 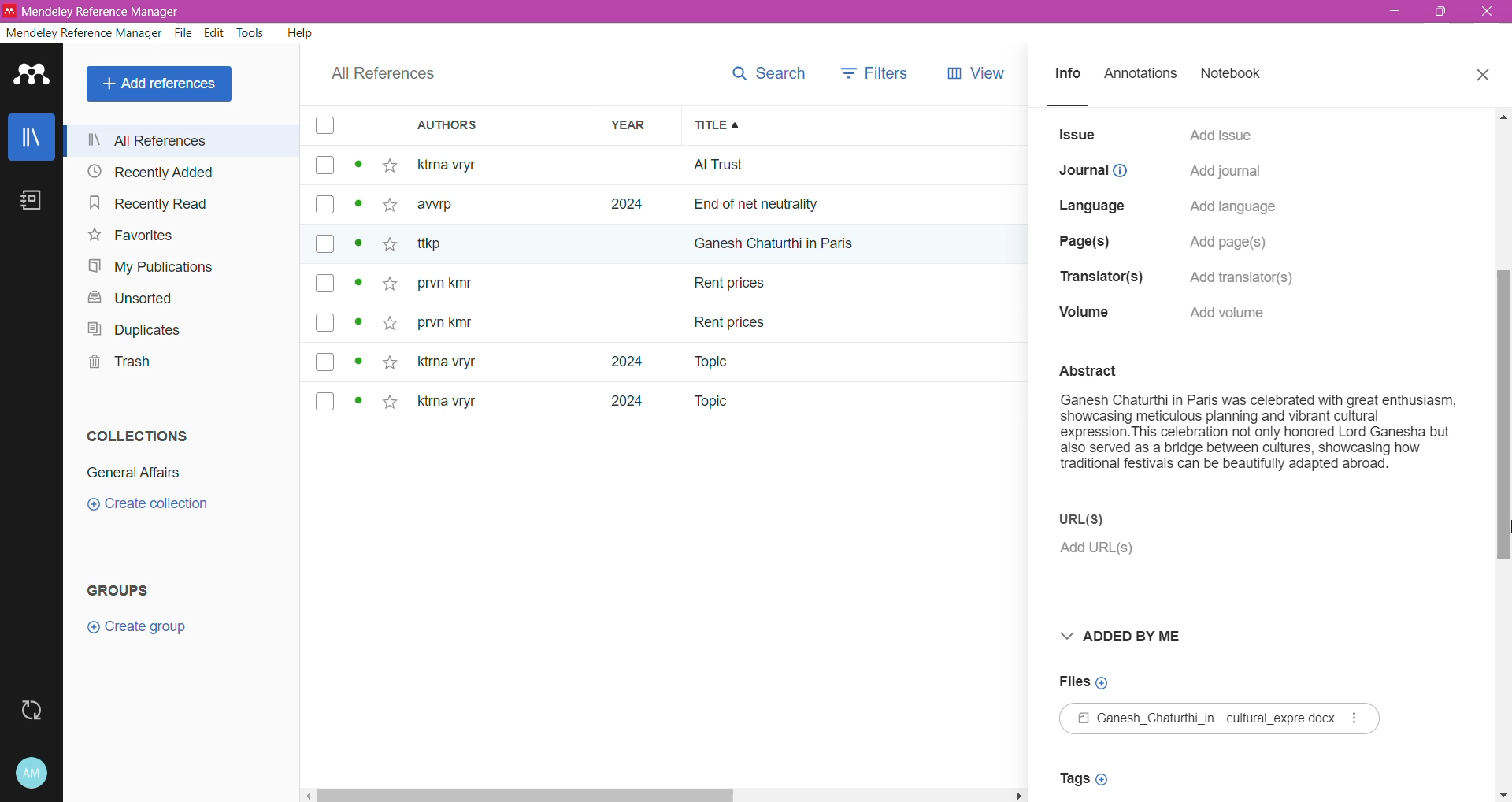 What do you see at coordinates (1068, 76) in the screenshot?
I see `Info` at bounding box center [1068, 76].